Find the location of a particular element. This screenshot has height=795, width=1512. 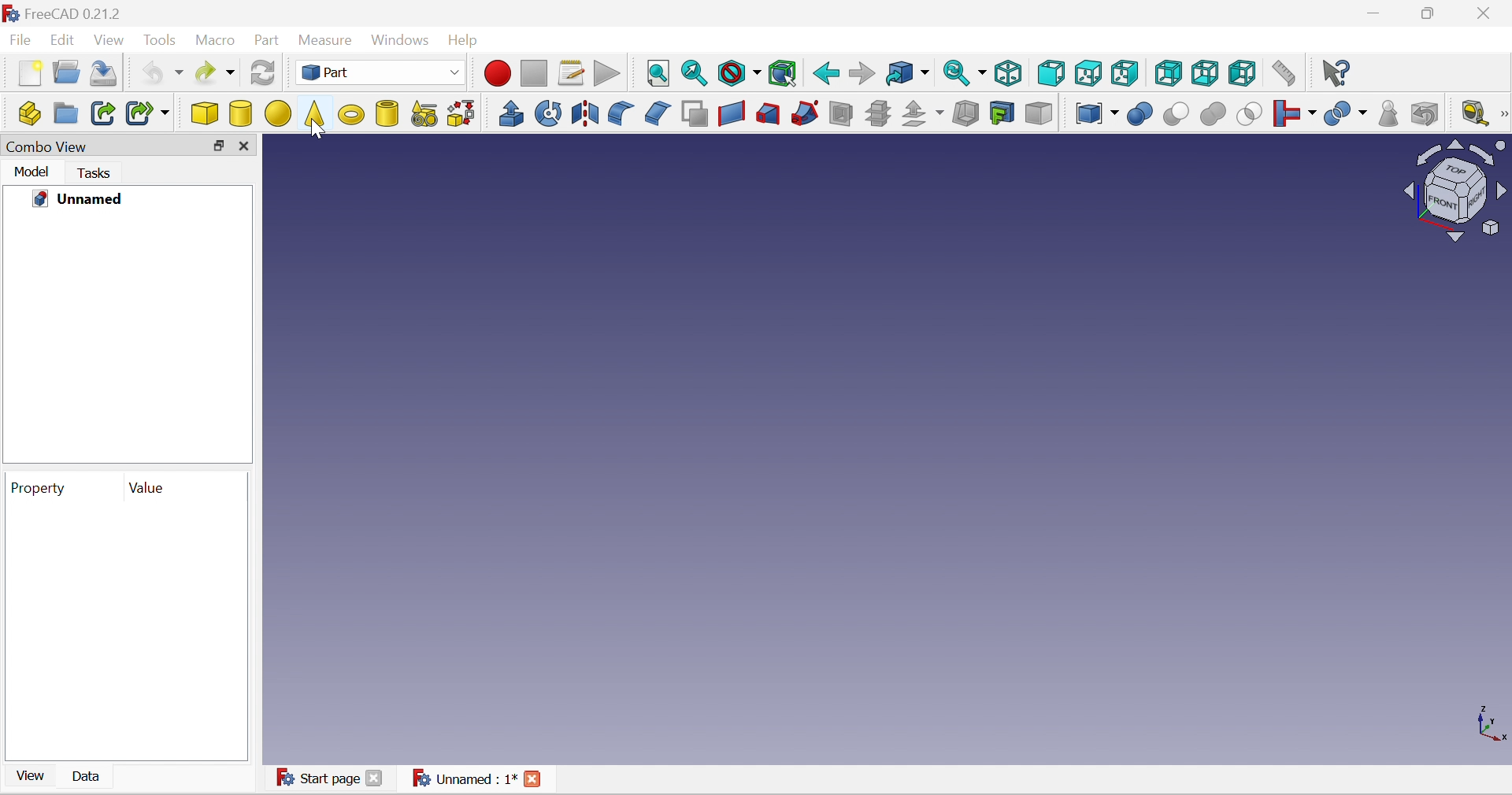

Viewing angle is located at coordinates (1455, 191).